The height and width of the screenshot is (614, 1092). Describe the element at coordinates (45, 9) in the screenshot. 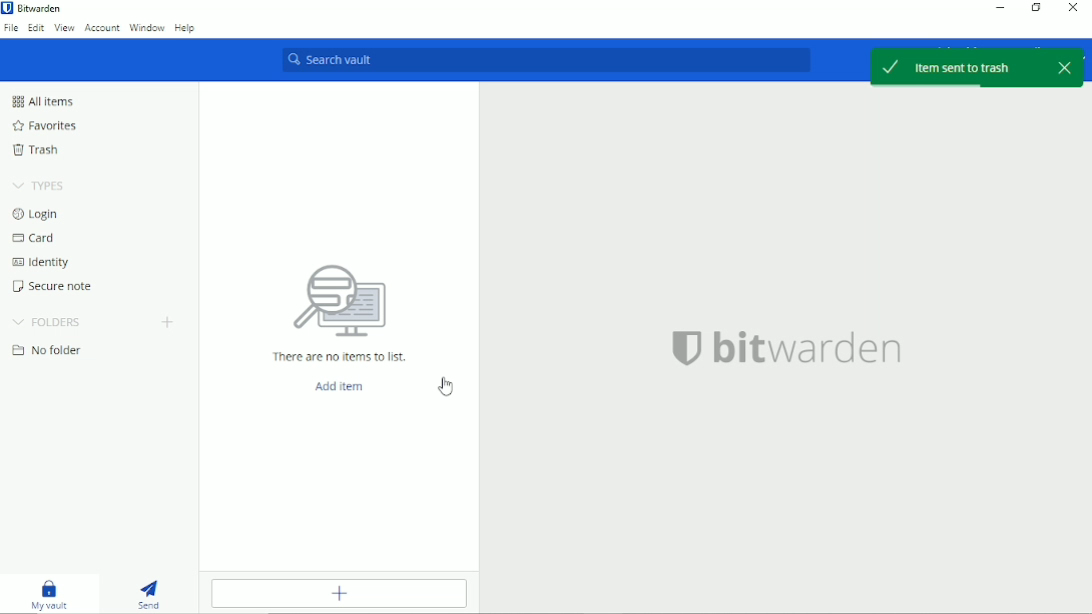

I see `Bitwarden` at that location.